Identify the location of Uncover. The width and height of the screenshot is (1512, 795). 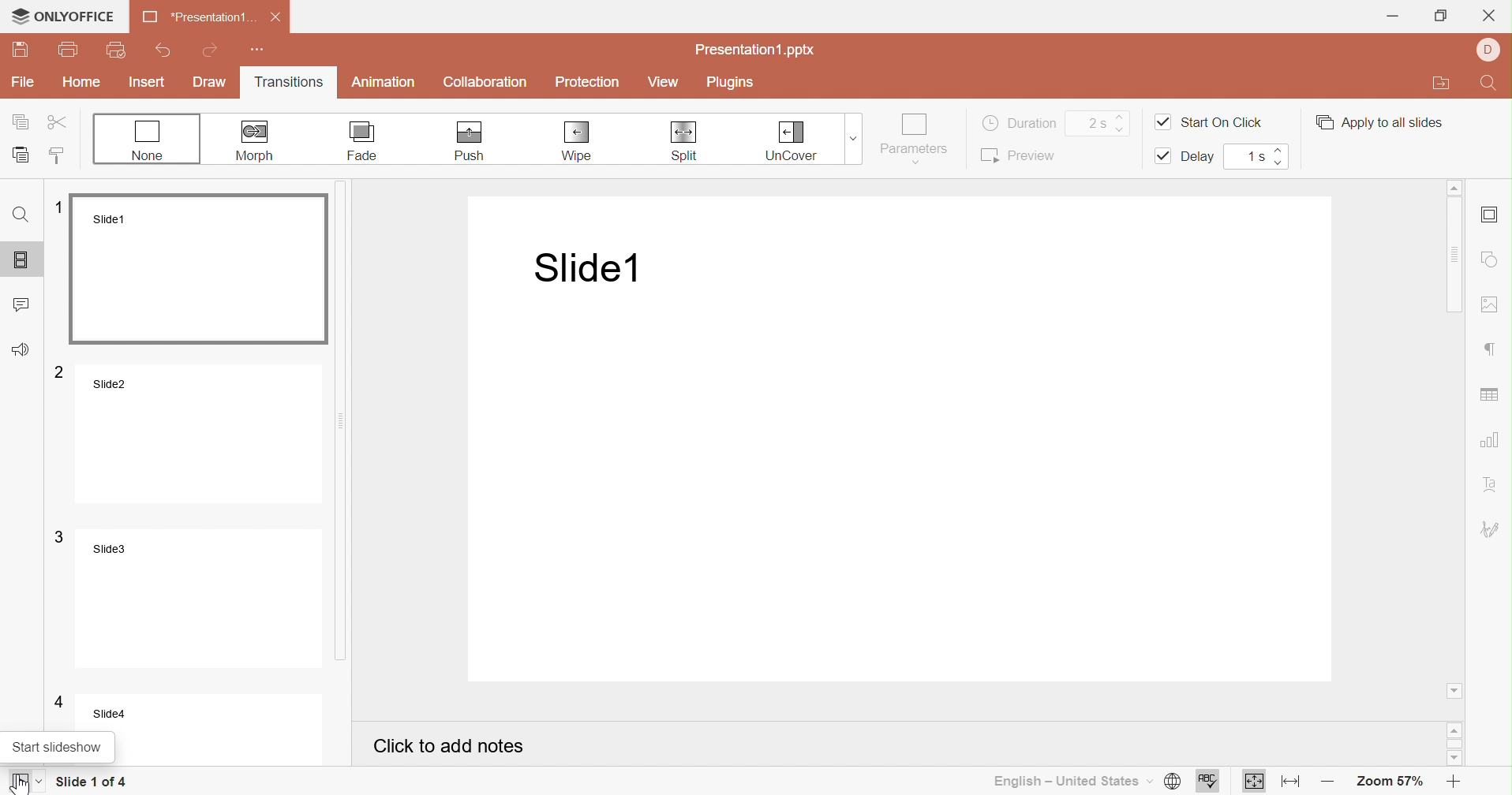
(795, 140).